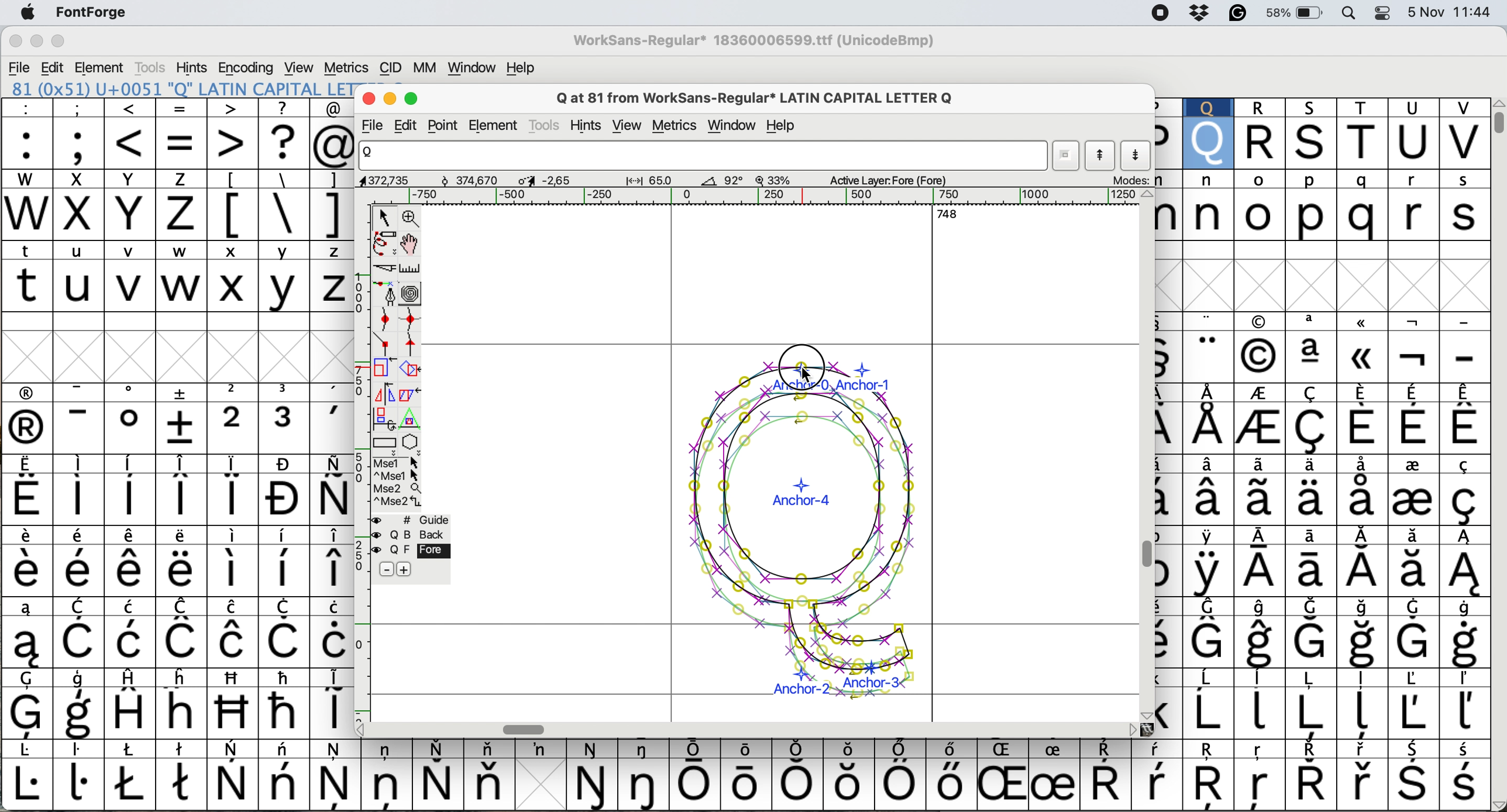 The width and height of the screenshot is (1507, 812). Describe the element at coordinates (1165, 13) in the screenshot. I see `screen recorder` at that location.